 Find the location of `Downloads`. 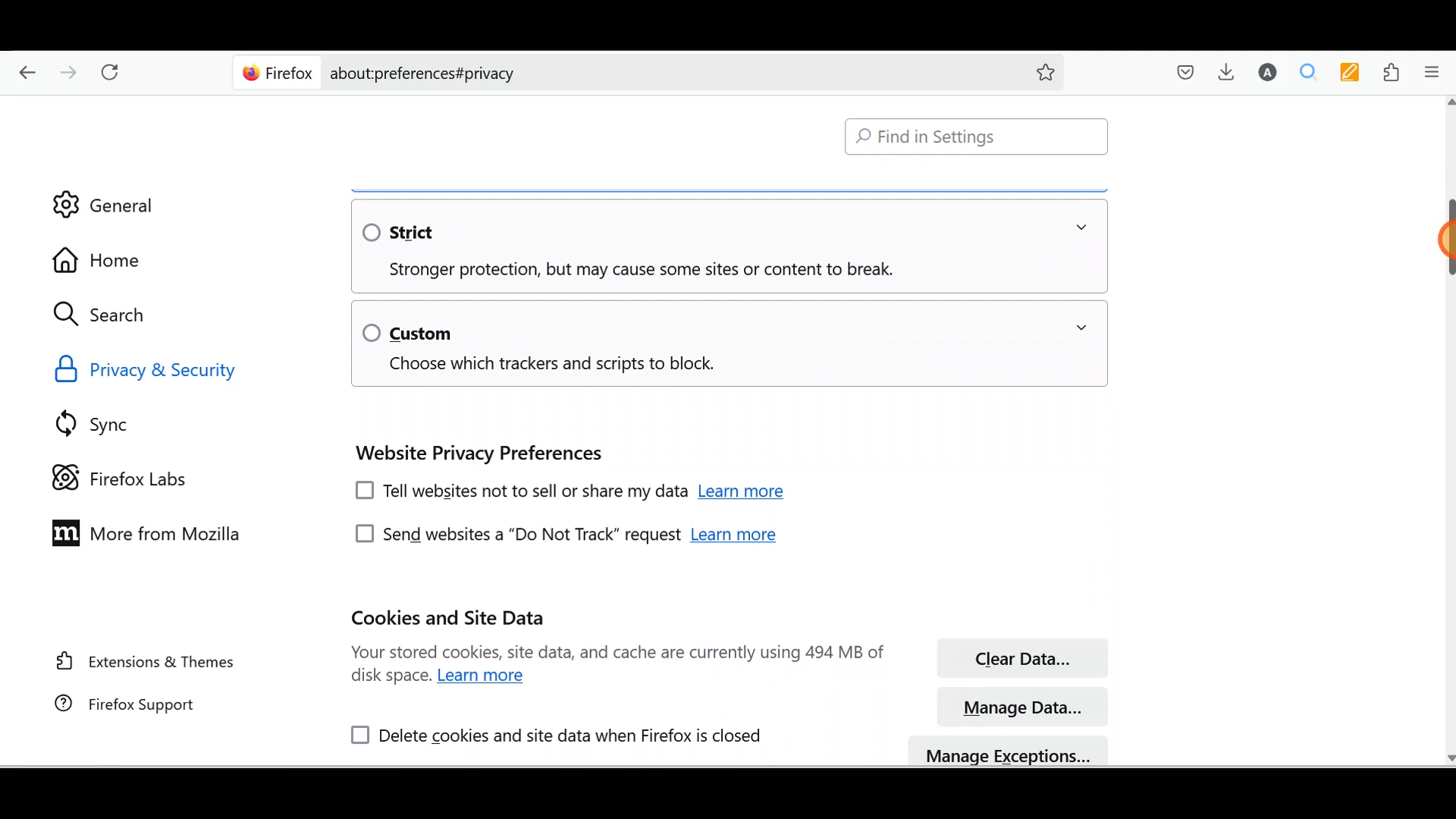

Downloads is located at coordinates (1225, 71).